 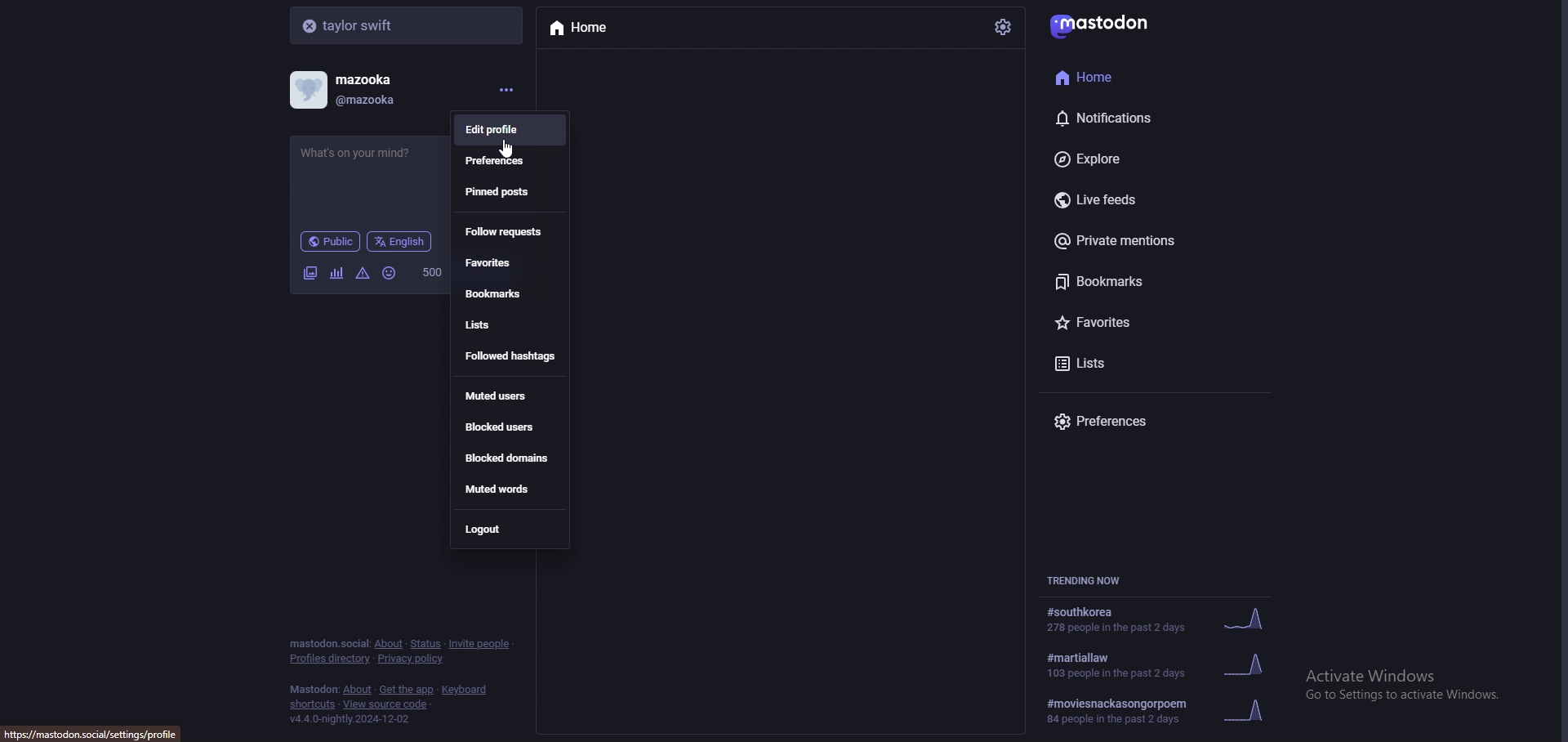 What do you see at coordinates (402, 241) in the screenshot?
I see `language` at bounding box center [402, 241].